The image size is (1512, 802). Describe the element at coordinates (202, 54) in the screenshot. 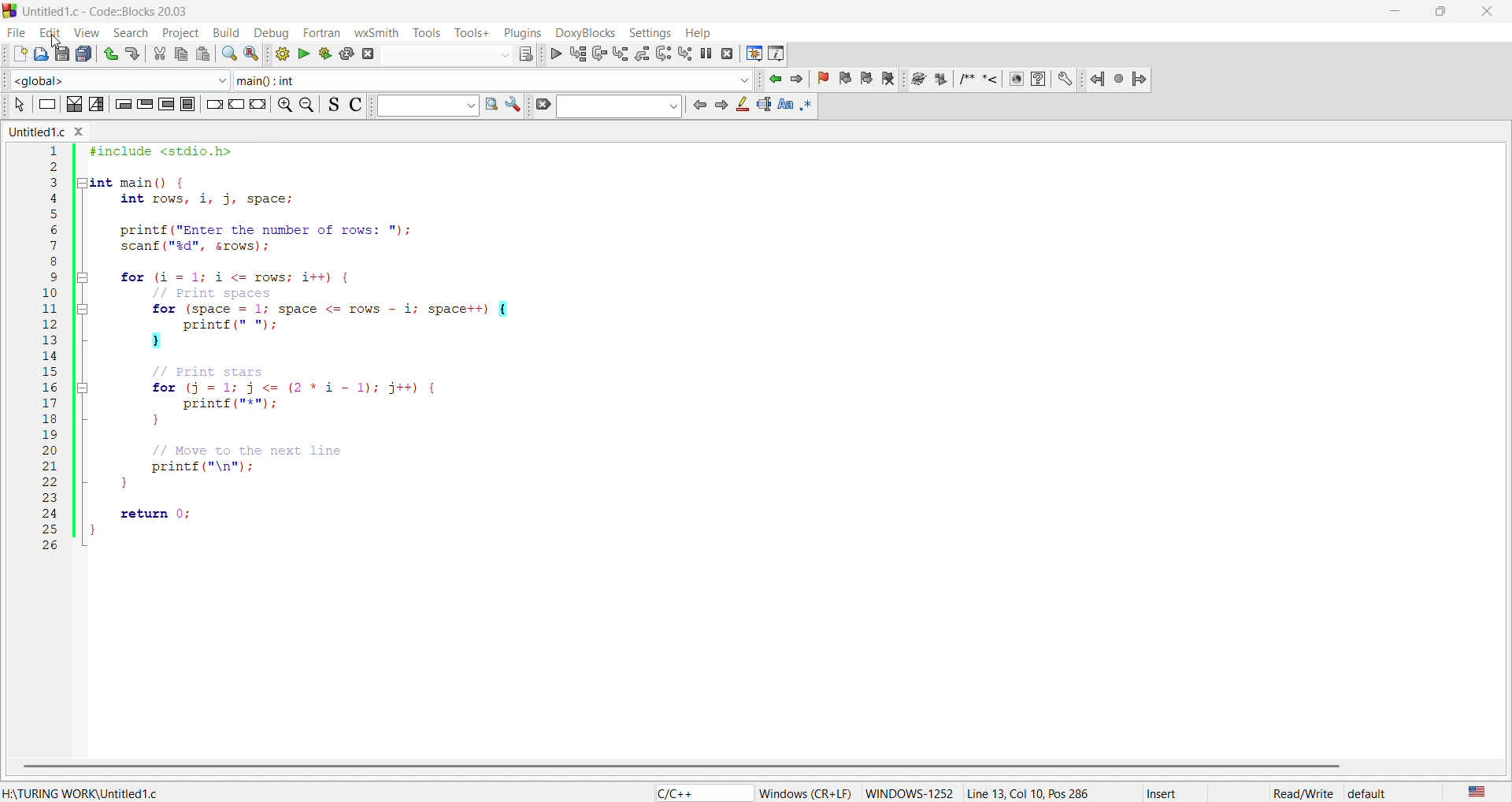

I see `paste` at that location.